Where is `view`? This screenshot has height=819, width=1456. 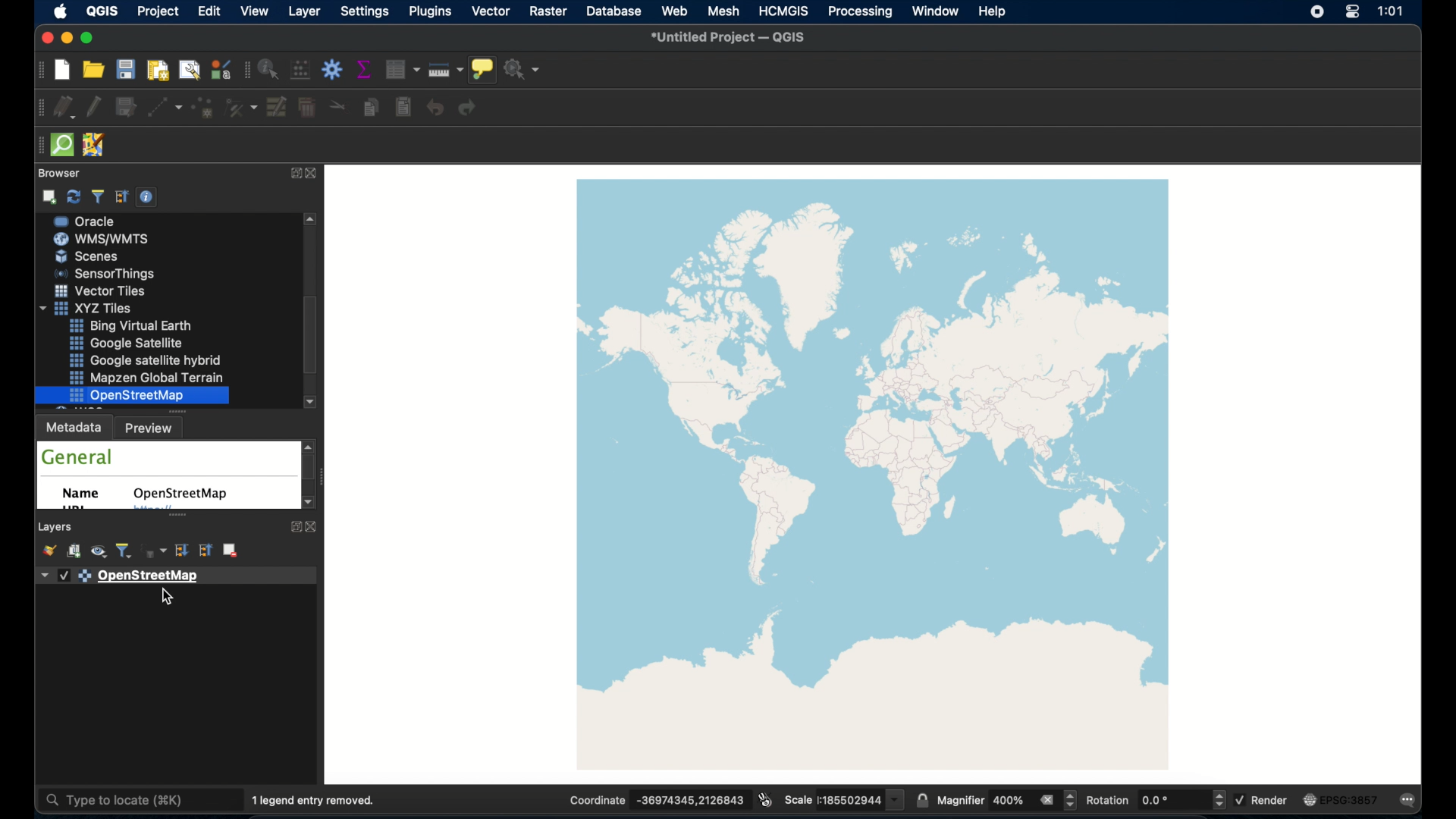 view is located at coordinates (256, 11).